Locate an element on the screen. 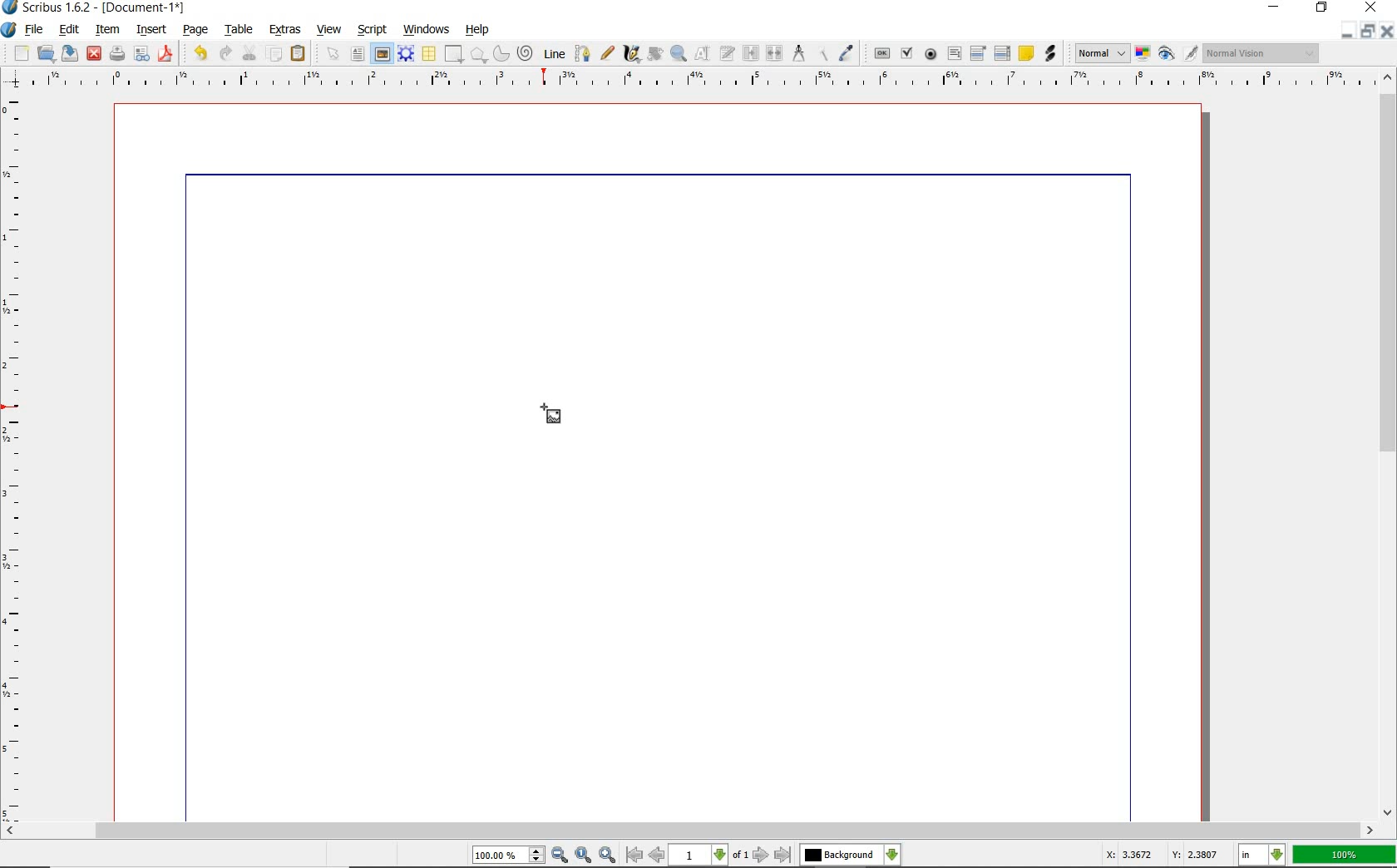 The image size is (1397, 868). Zoom In is located at coordinates (608, 856).